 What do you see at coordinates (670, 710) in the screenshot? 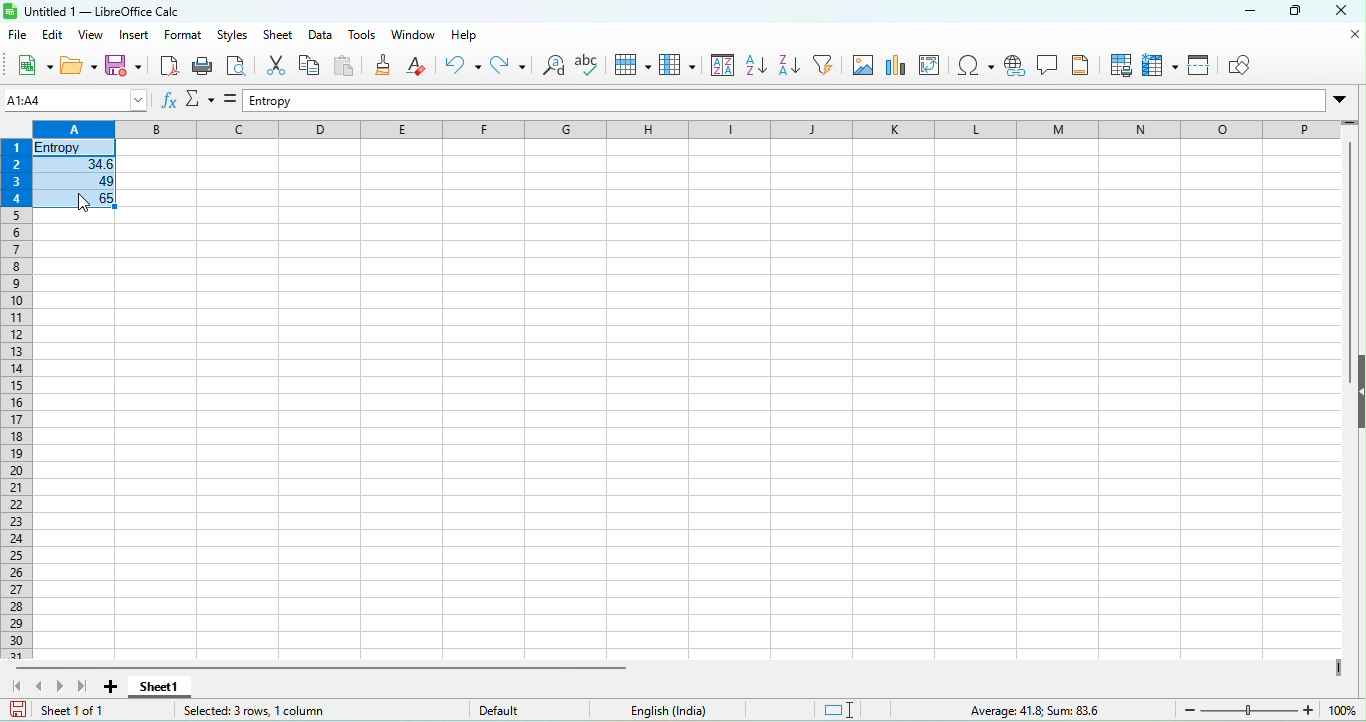
I see `text language` at bounding box center [670, 710].